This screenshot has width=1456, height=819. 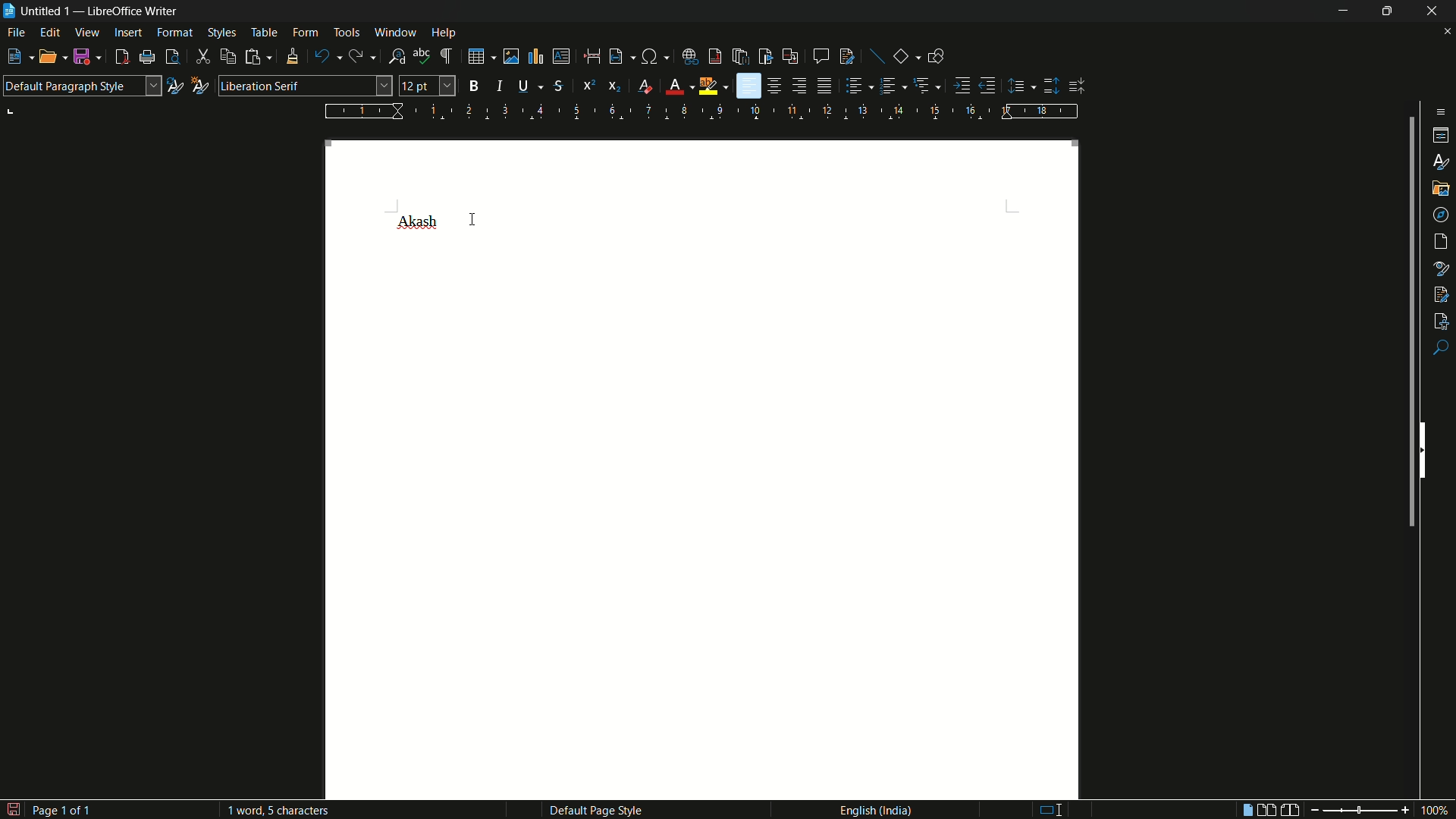 What do you see at coordinates (1442, 136) in the screenshot?
I see `properties` at bounding box center [1442, 136].